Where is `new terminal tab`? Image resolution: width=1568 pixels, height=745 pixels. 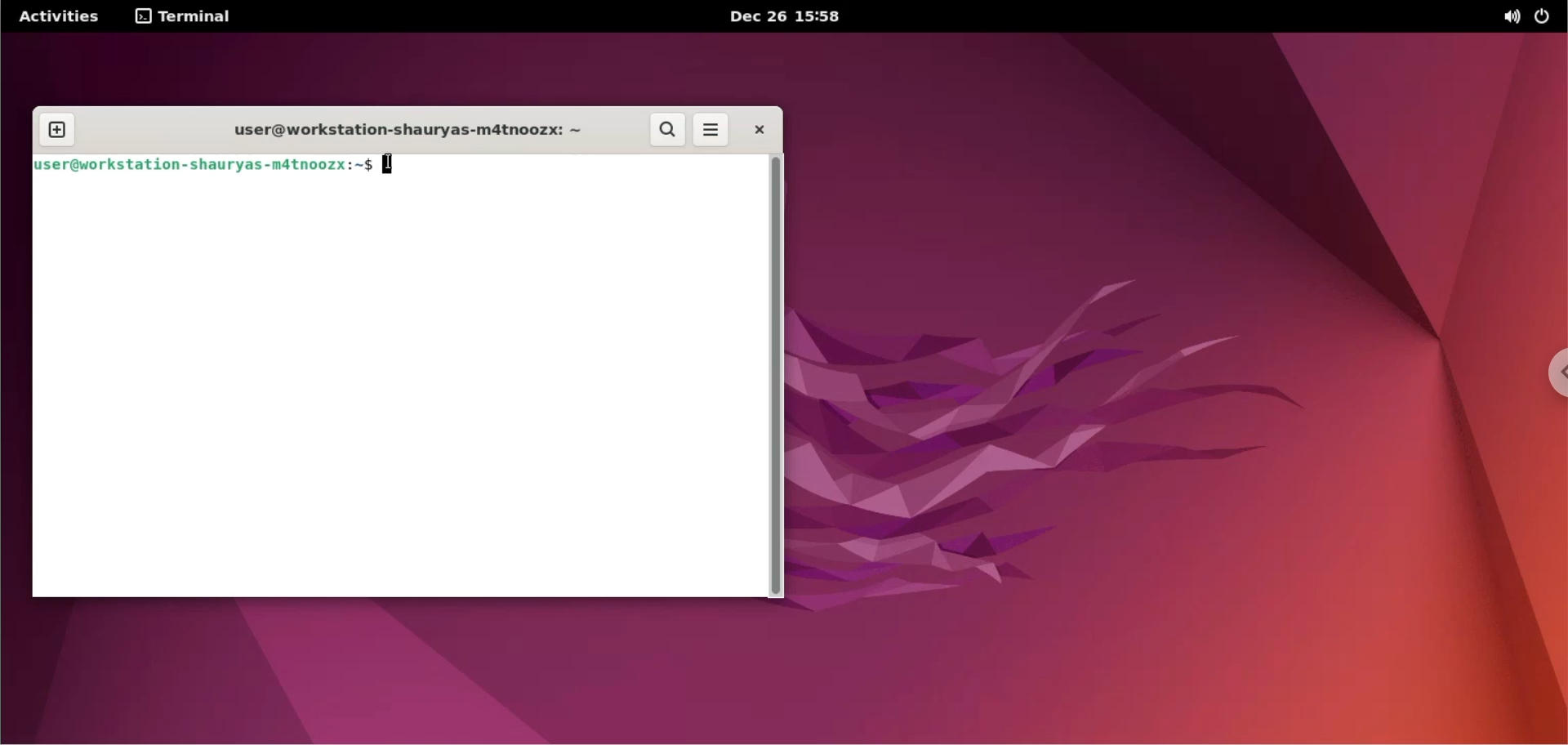
new terminal tab is located at coordinates (56, 131).